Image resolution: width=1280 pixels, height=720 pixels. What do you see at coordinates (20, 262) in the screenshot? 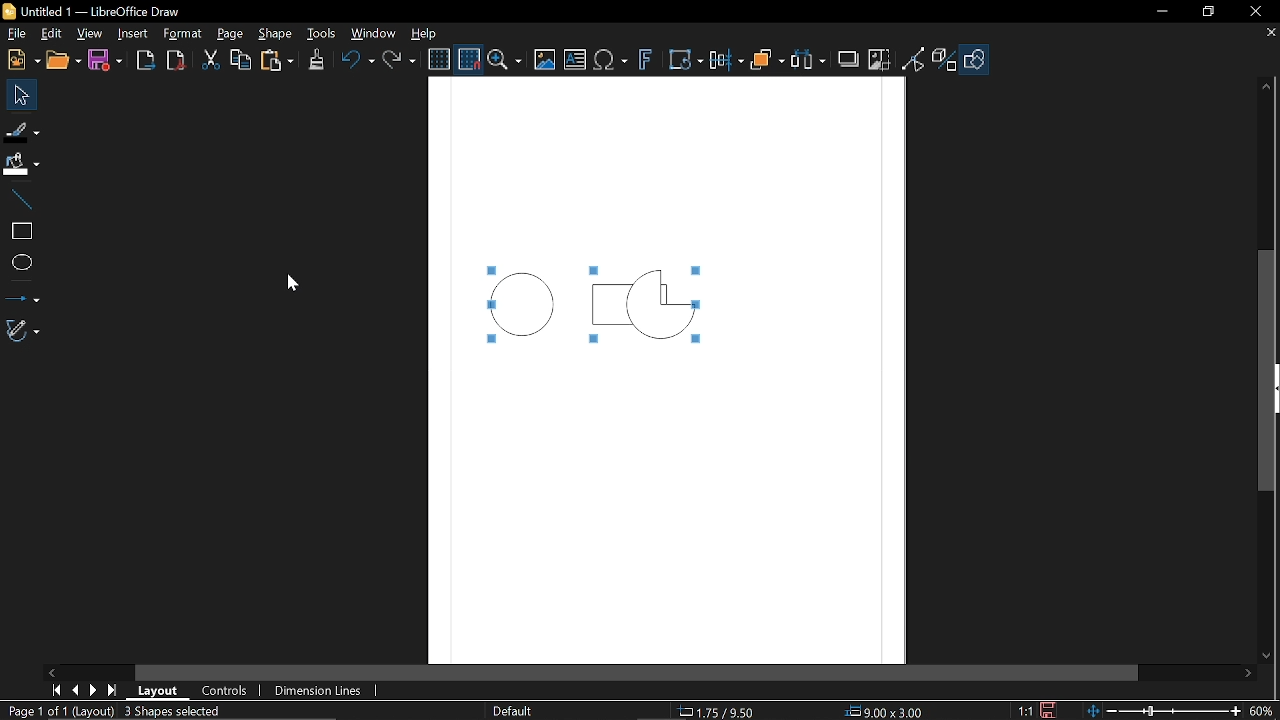
I see `Ellips` at bounding box center [20, 262].